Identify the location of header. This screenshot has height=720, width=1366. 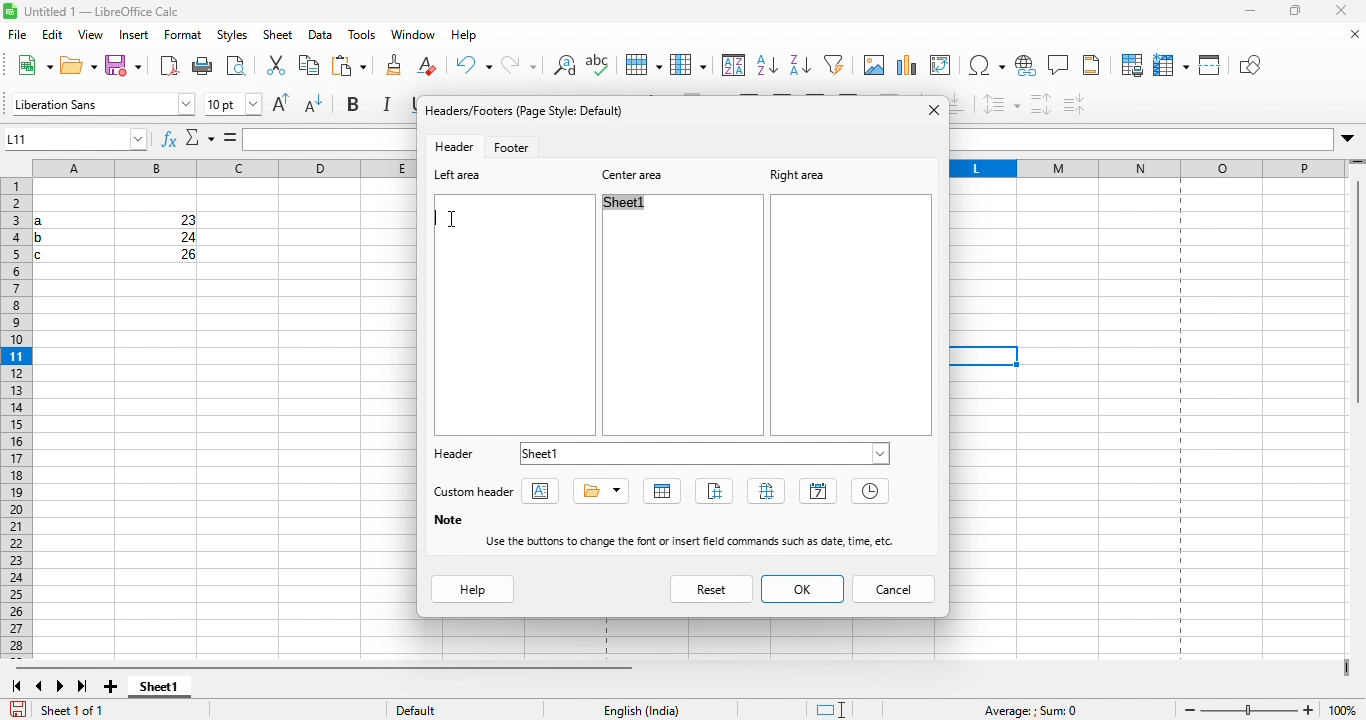
(459, 145).